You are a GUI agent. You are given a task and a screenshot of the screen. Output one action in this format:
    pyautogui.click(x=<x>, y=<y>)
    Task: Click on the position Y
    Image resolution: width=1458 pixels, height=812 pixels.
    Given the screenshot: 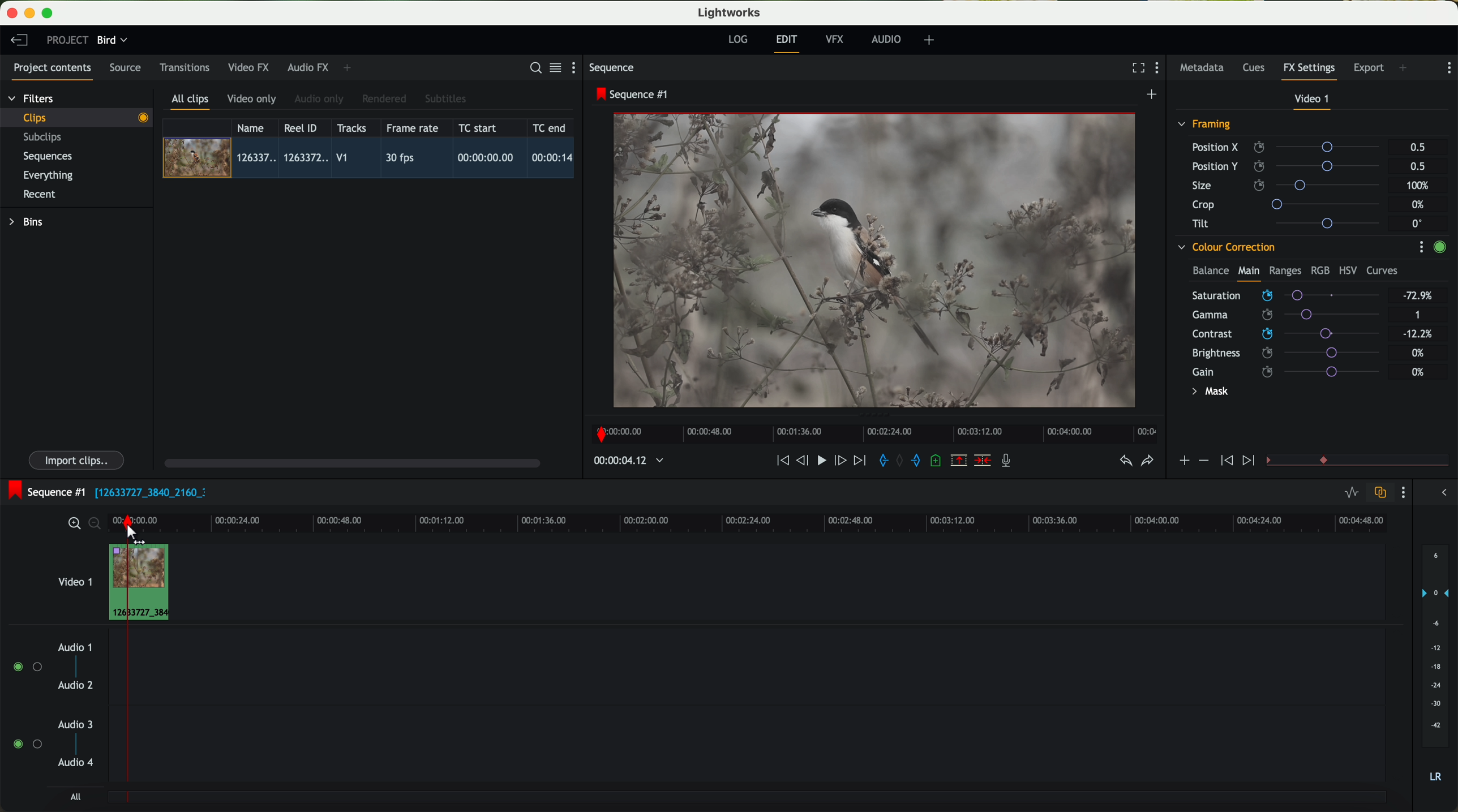 What is the action you would take?
    pyautogui.click(x=1290, y=166)
    